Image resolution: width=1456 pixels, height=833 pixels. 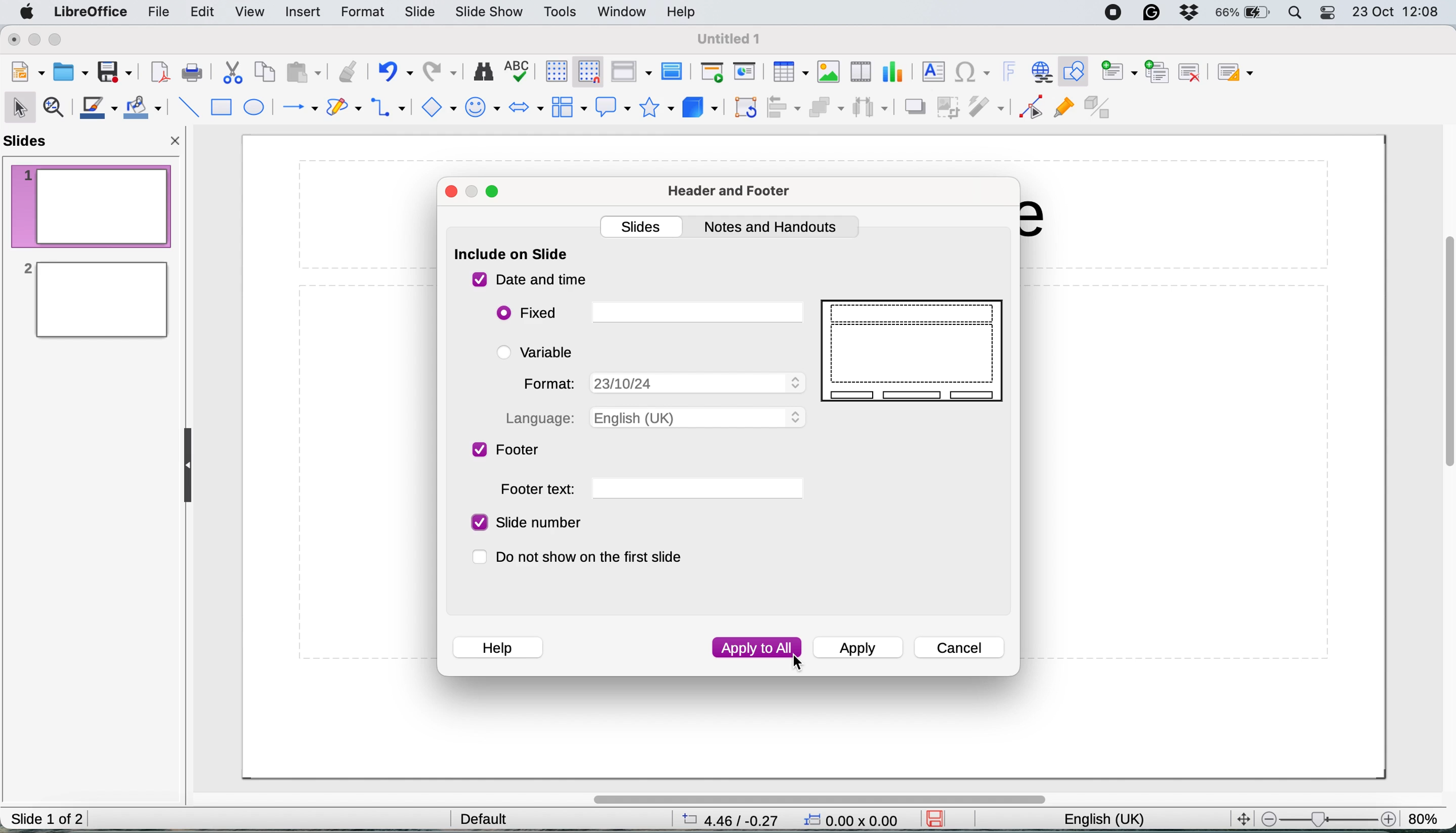 I want to click on footer, so click(x=508, y=451).